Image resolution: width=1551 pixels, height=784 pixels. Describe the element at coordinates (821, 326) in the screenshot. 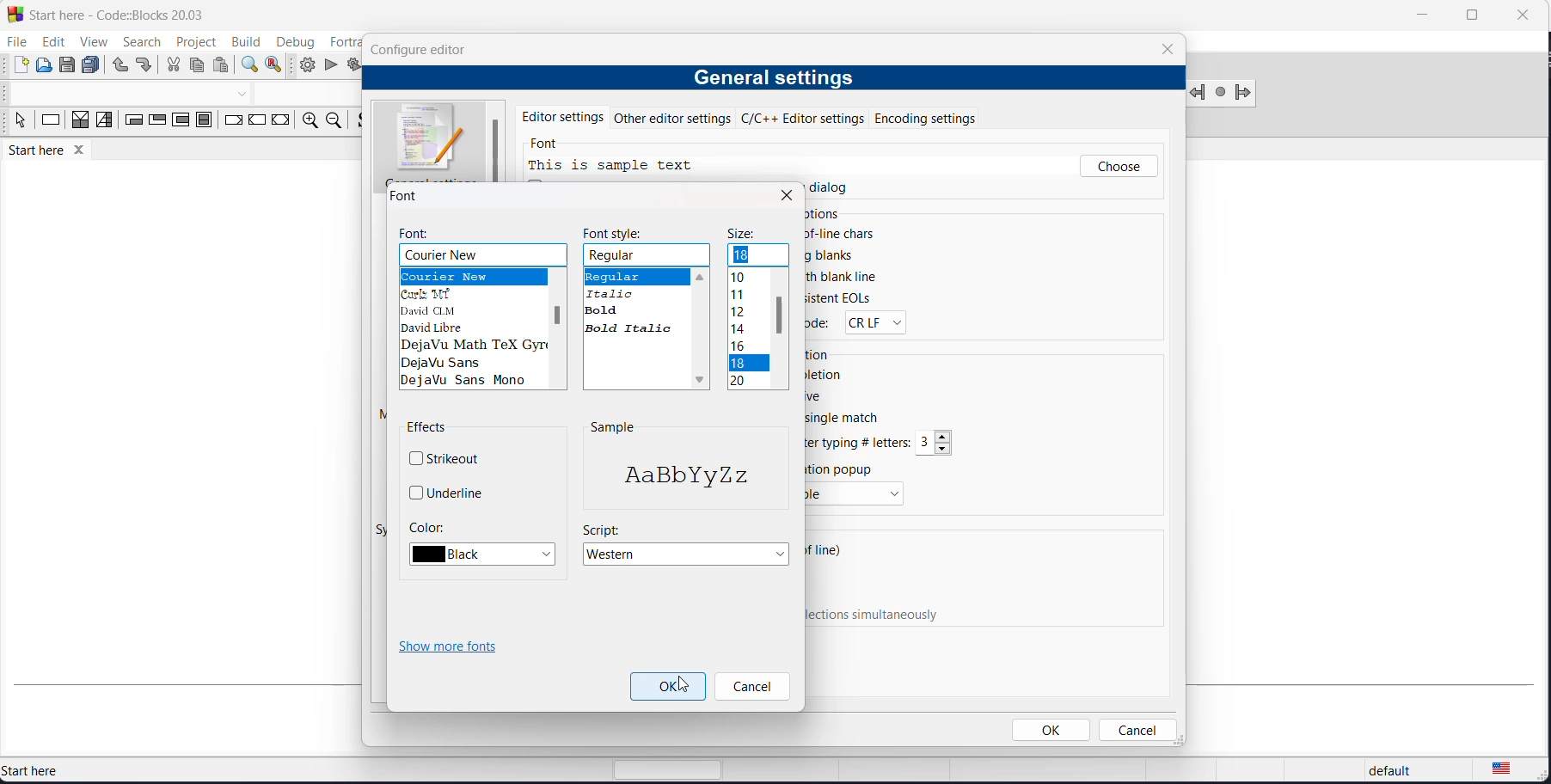

I see `ede` at that location.